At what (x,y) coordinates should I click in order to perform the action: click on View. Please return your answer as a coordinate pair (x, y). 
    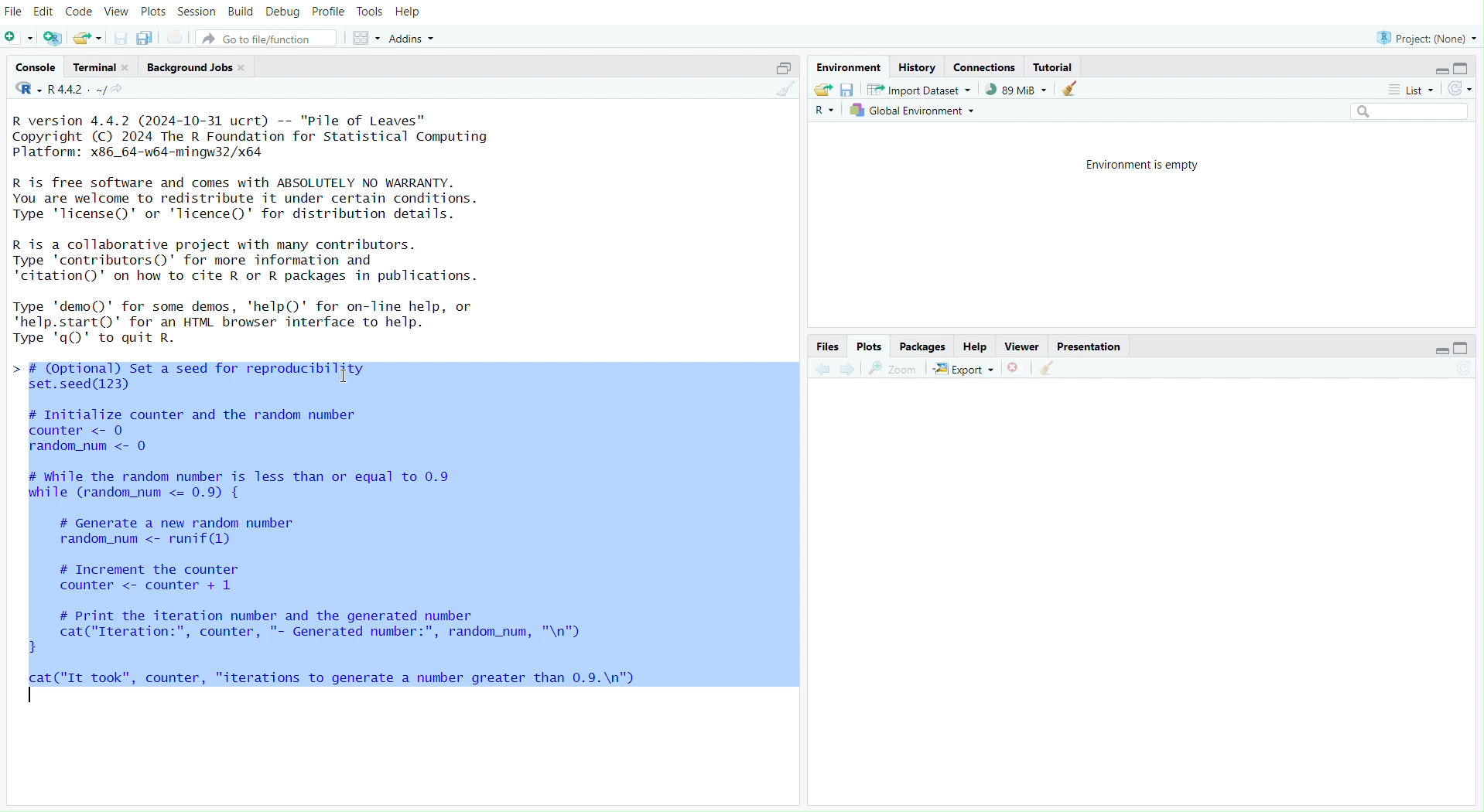
    Looking at the image, I should click on (115, 12).